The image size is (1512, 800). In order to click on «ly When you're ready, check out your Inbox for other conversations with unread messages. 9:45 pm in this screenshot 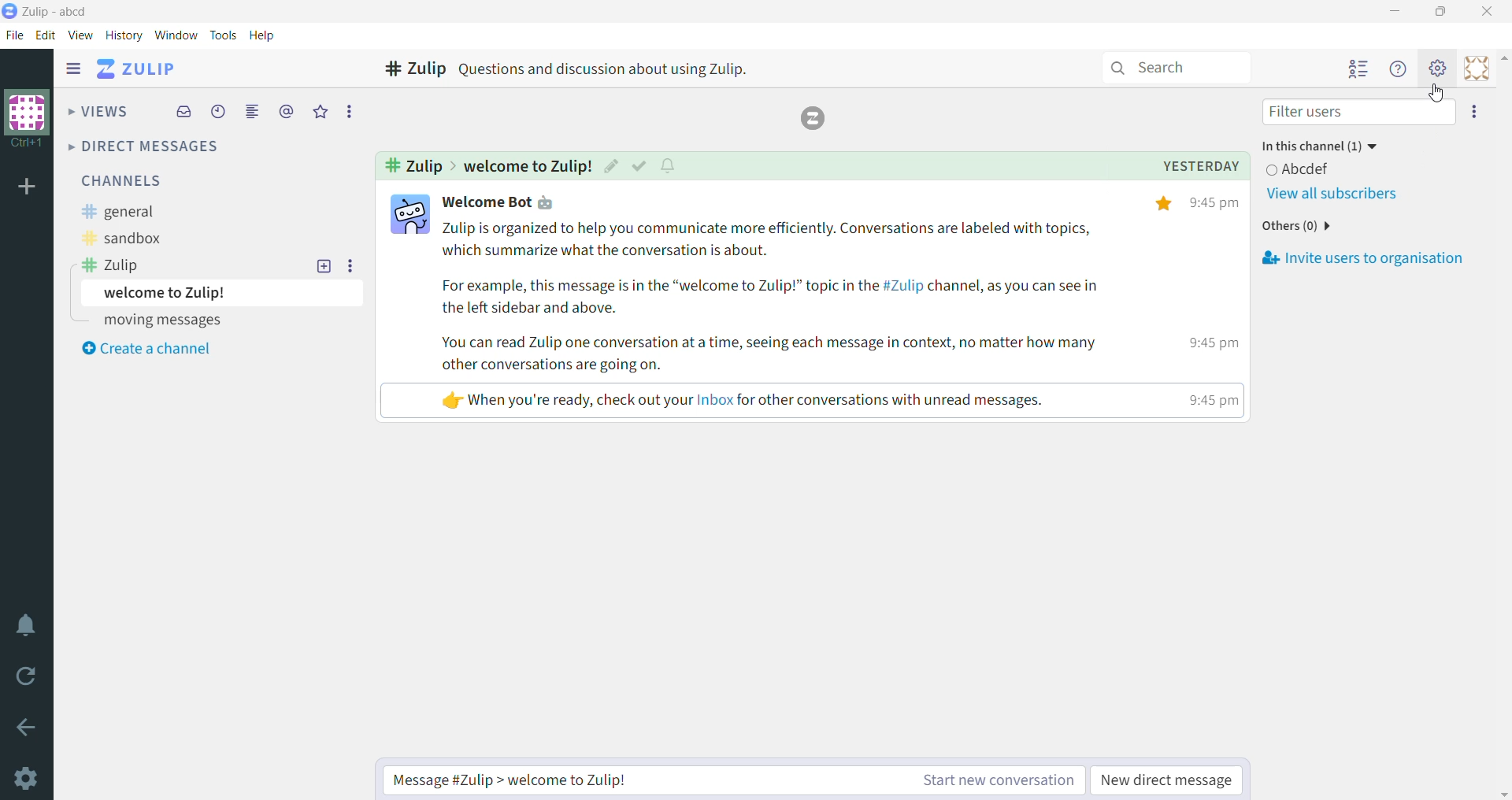, I will do `click(730, 402)`.